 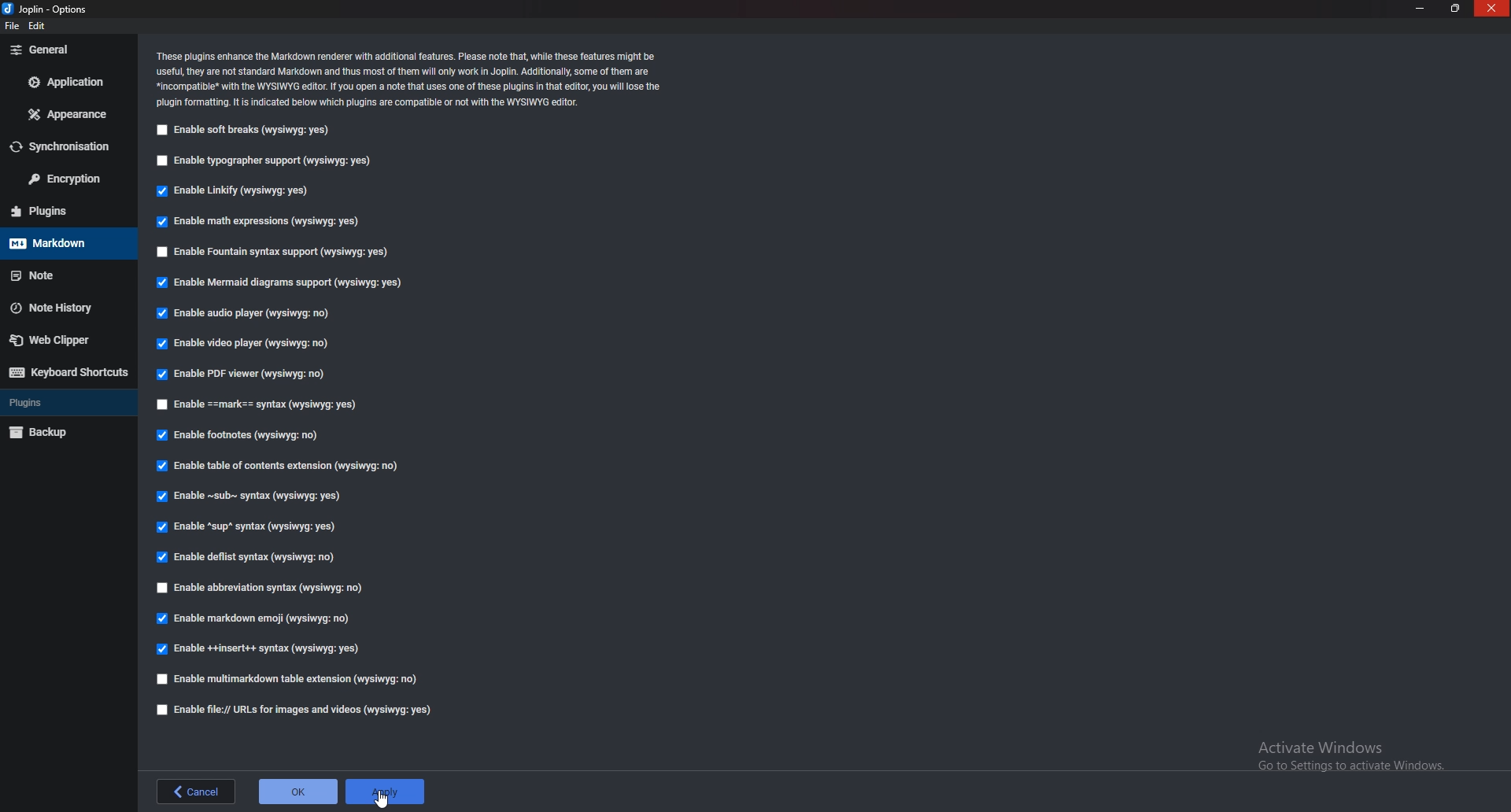 I want to click on Encryption, so click(x=63, y=180).